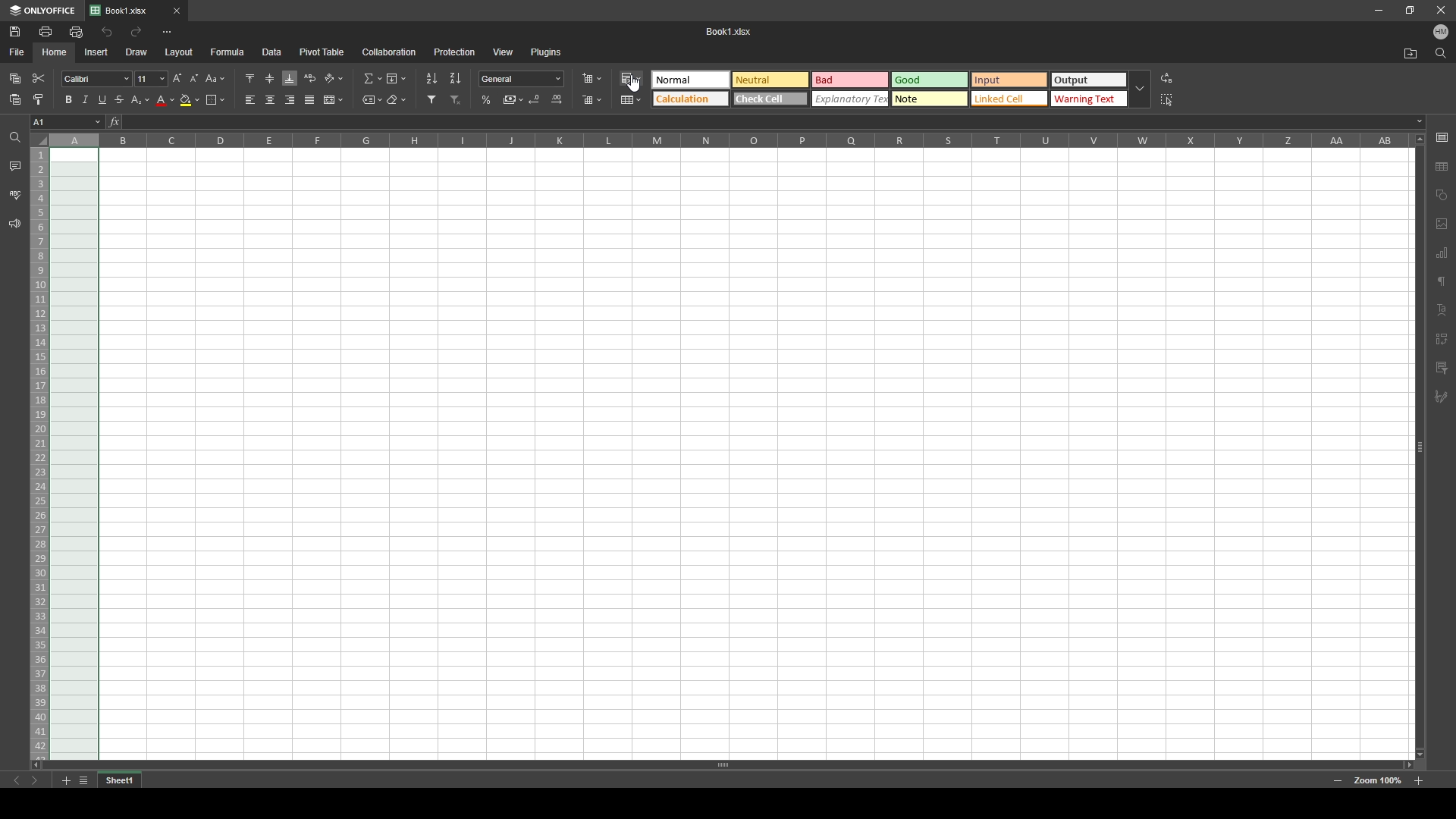  I want to click on image, so click(1442, 224).